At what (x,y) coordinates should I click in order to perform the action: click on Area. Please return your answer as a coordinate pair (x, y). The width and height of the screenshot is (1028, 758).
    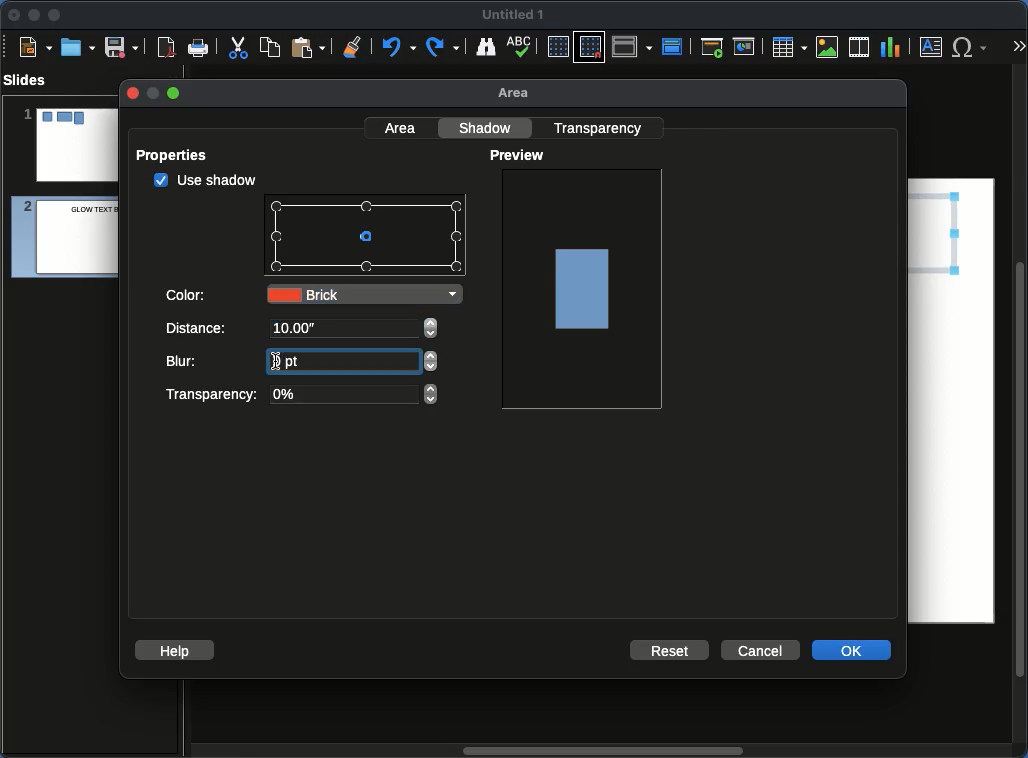
    Looking at the image, I should click on (402, 127).